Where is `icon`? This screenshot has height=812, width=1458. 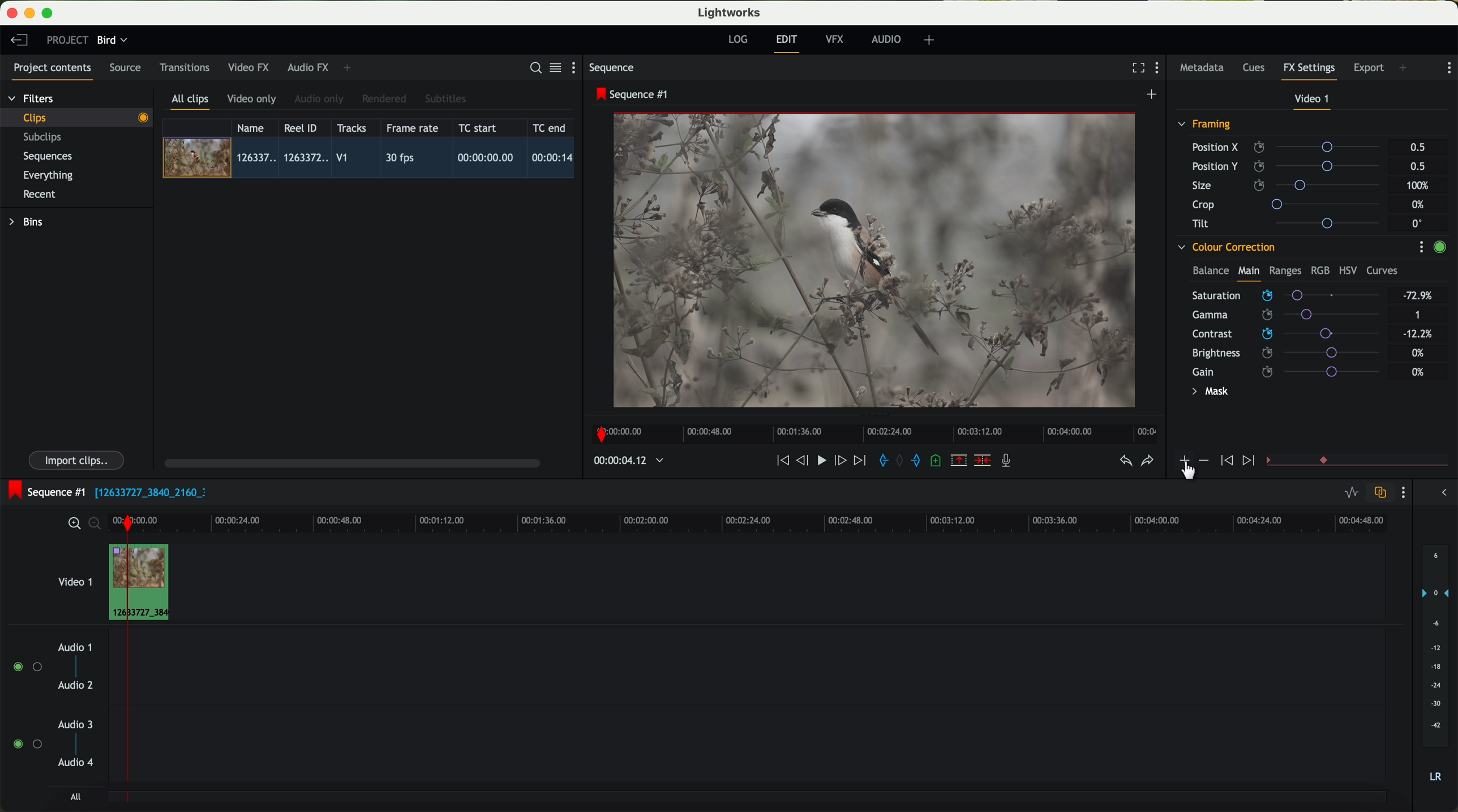 icon is located at coordinates (1183, 462).